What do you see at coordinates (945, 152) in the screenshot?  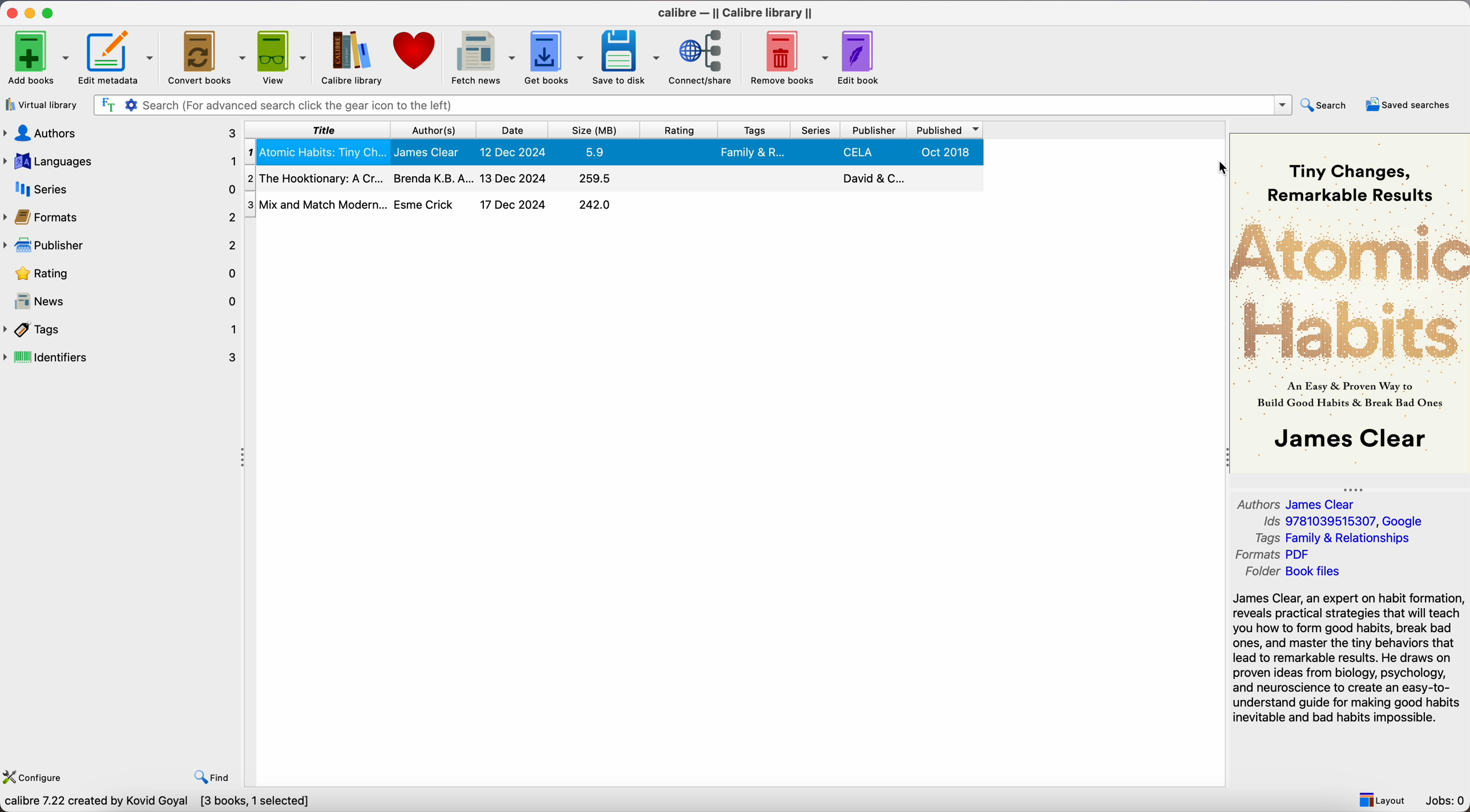 I see `Oct 2018` at bounding box center [945, 152].